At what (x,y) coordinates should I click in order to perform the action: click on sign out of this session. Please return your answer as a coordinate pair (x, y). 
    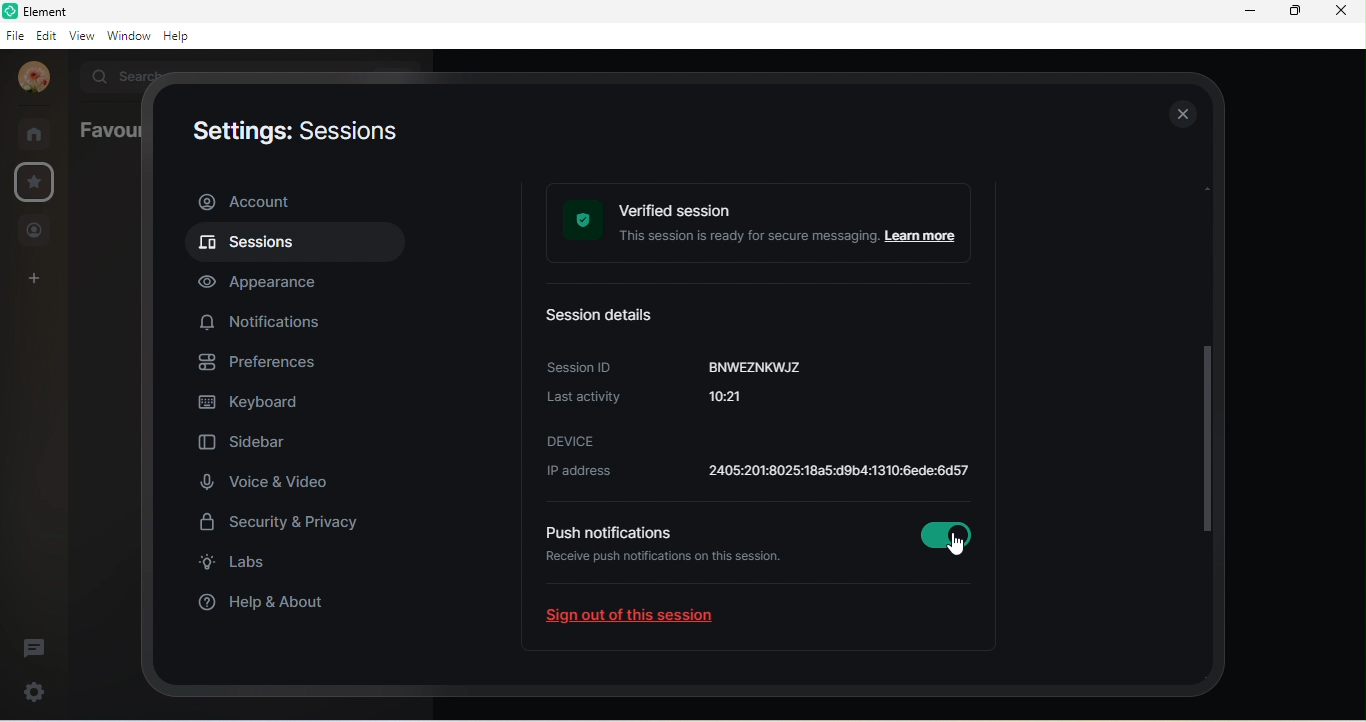
    Looking at the image, I should click on (646, 620).